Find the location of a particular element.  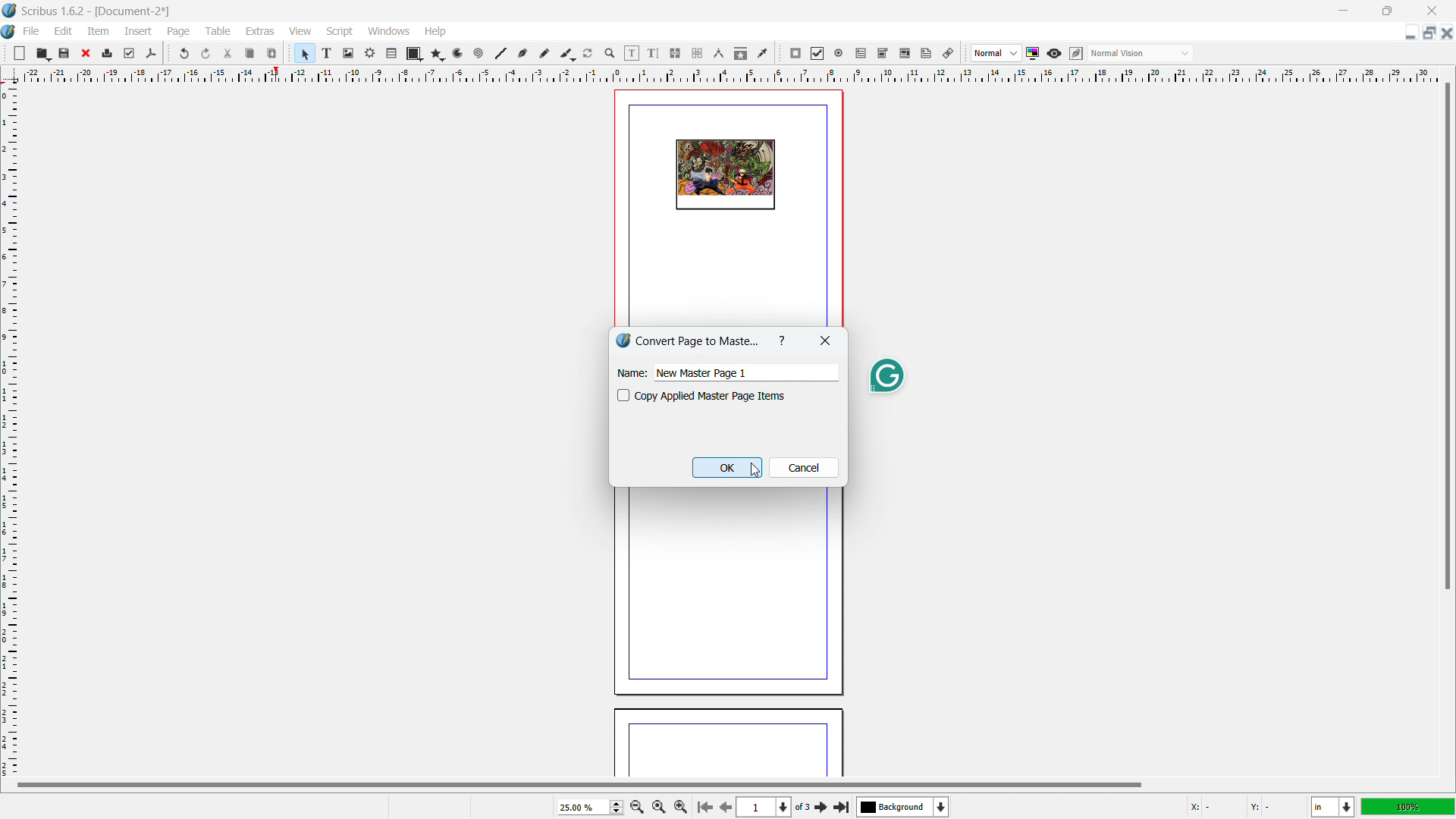

close window is located at coordinates (1430, 10).